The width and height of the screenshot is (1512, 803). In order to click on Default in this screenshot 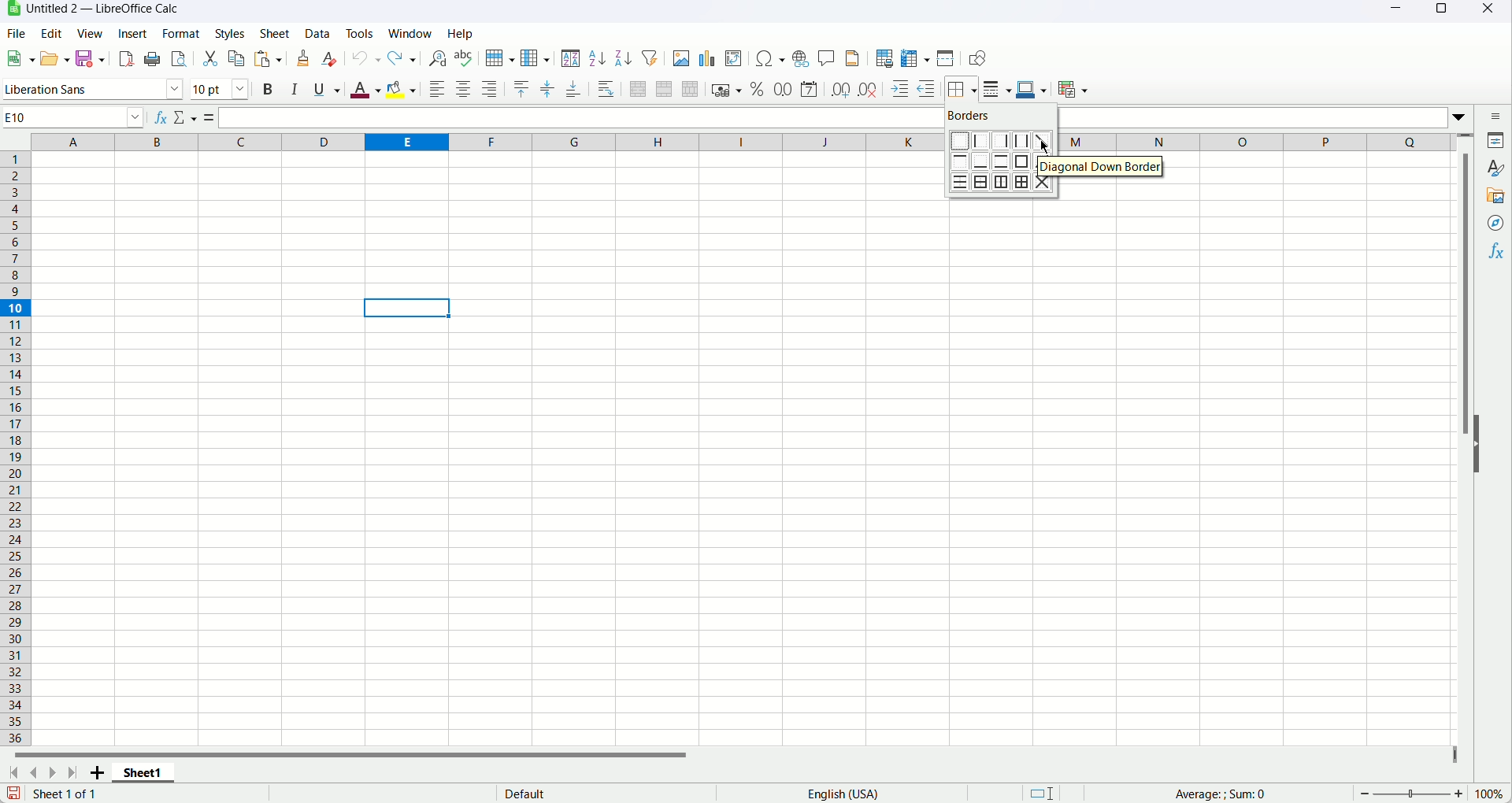, I will do `click(587, 794)`.